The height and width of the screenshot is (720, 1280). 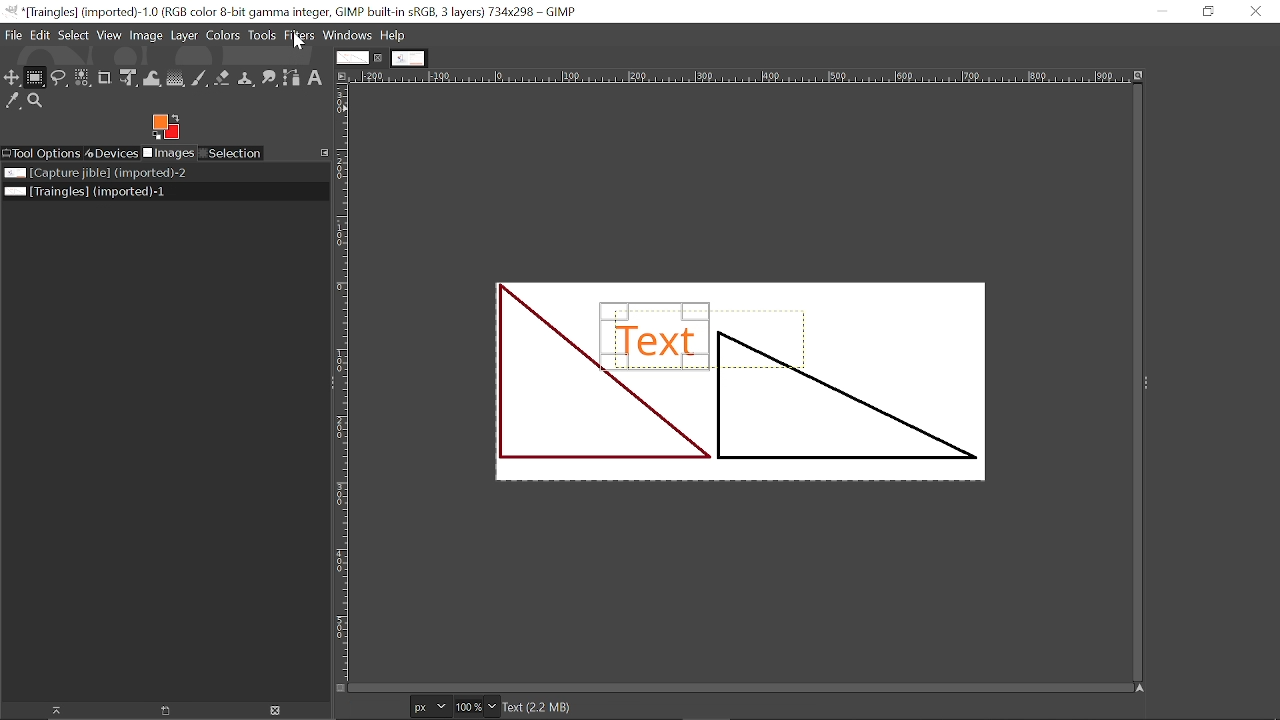 What do you see at coordinates (93, 174) in the screenshot?
I see `Image file titled "Capture jible"` at bounding box center [93, 174].